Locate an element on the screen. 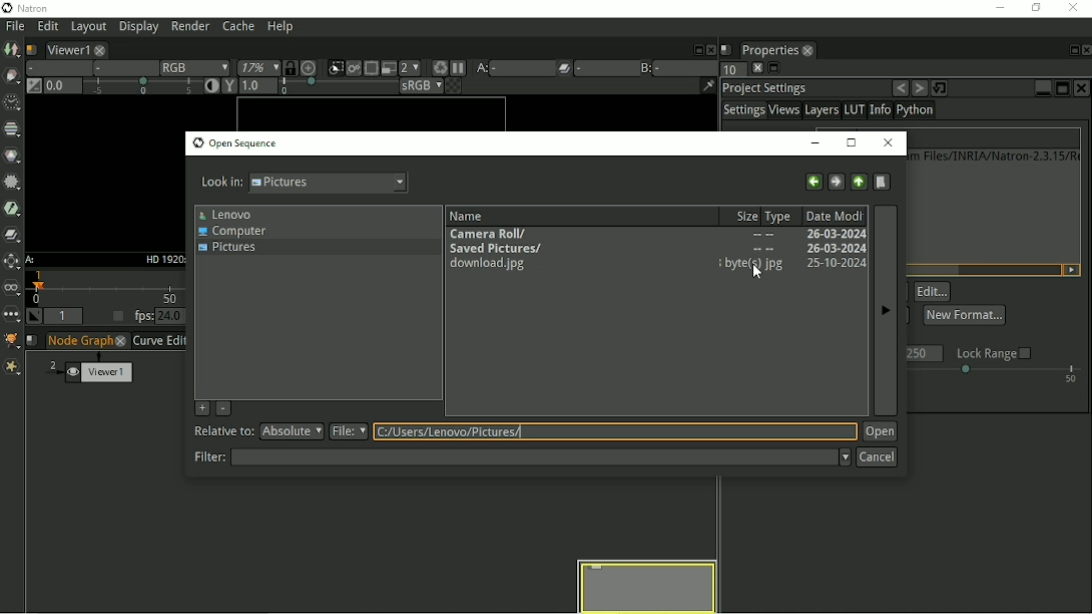 Image resolution: width=1092 pixels, height=614 pixels. Script name is located at coordinates (726, 48).